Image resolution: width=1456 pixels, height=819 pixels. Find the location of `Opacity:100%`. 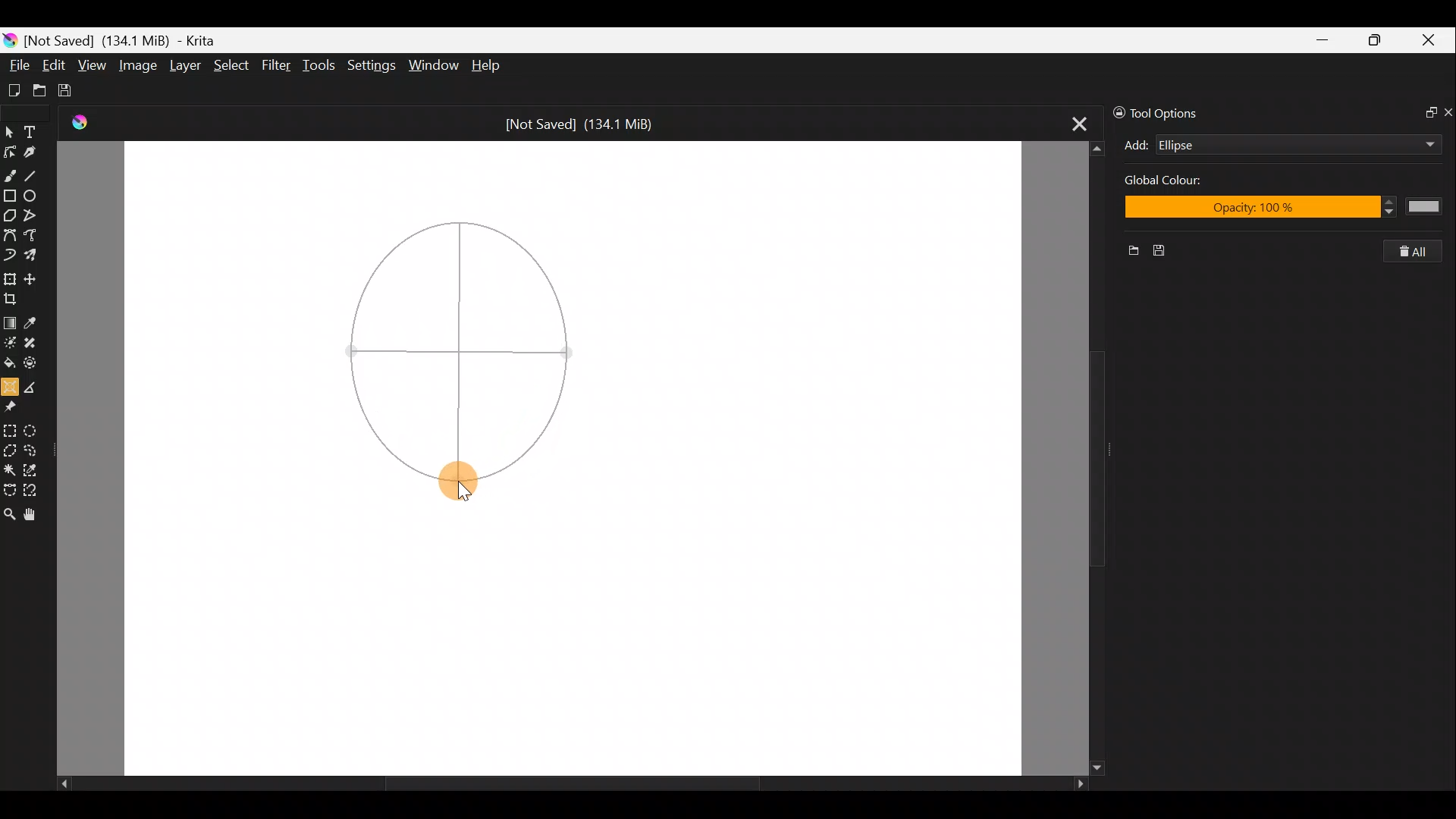

Opacity:100% is located at coordinates (1285, 209).